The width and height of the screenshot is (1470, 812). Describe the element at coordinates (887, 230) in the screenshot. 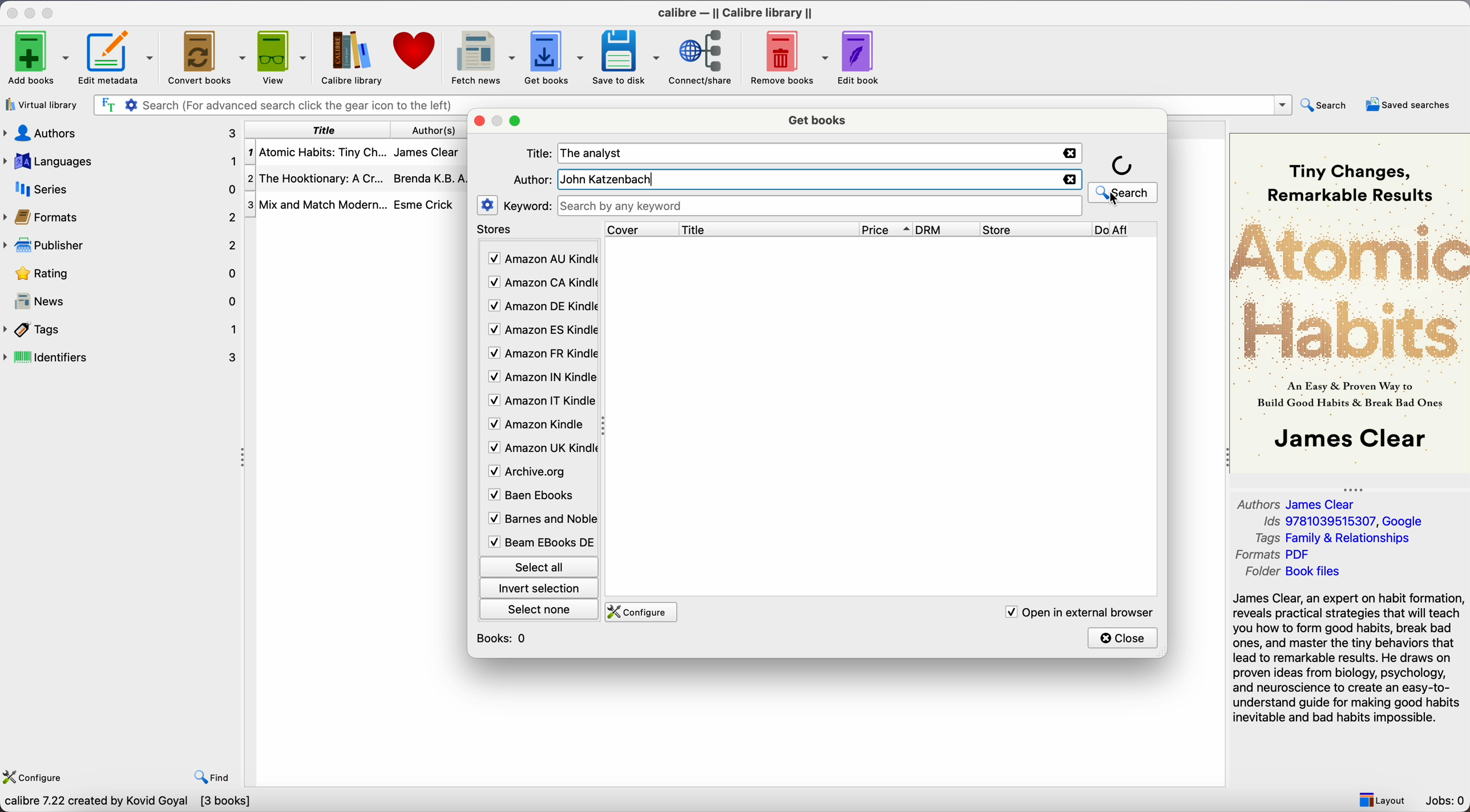

I see `price` at that location.